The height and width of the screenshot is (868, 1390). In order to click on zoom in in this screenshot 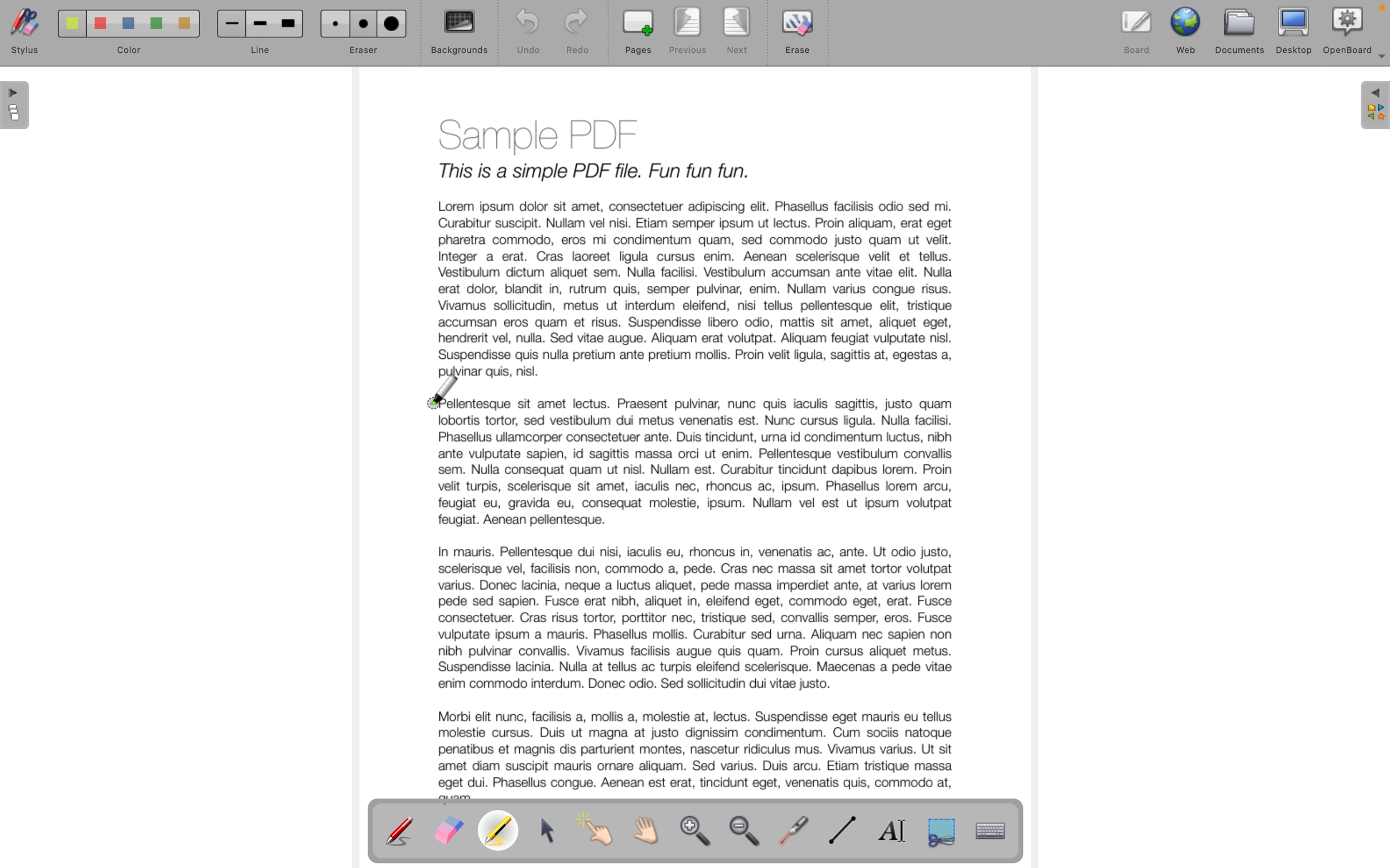, I will do `click(697, 834)`.